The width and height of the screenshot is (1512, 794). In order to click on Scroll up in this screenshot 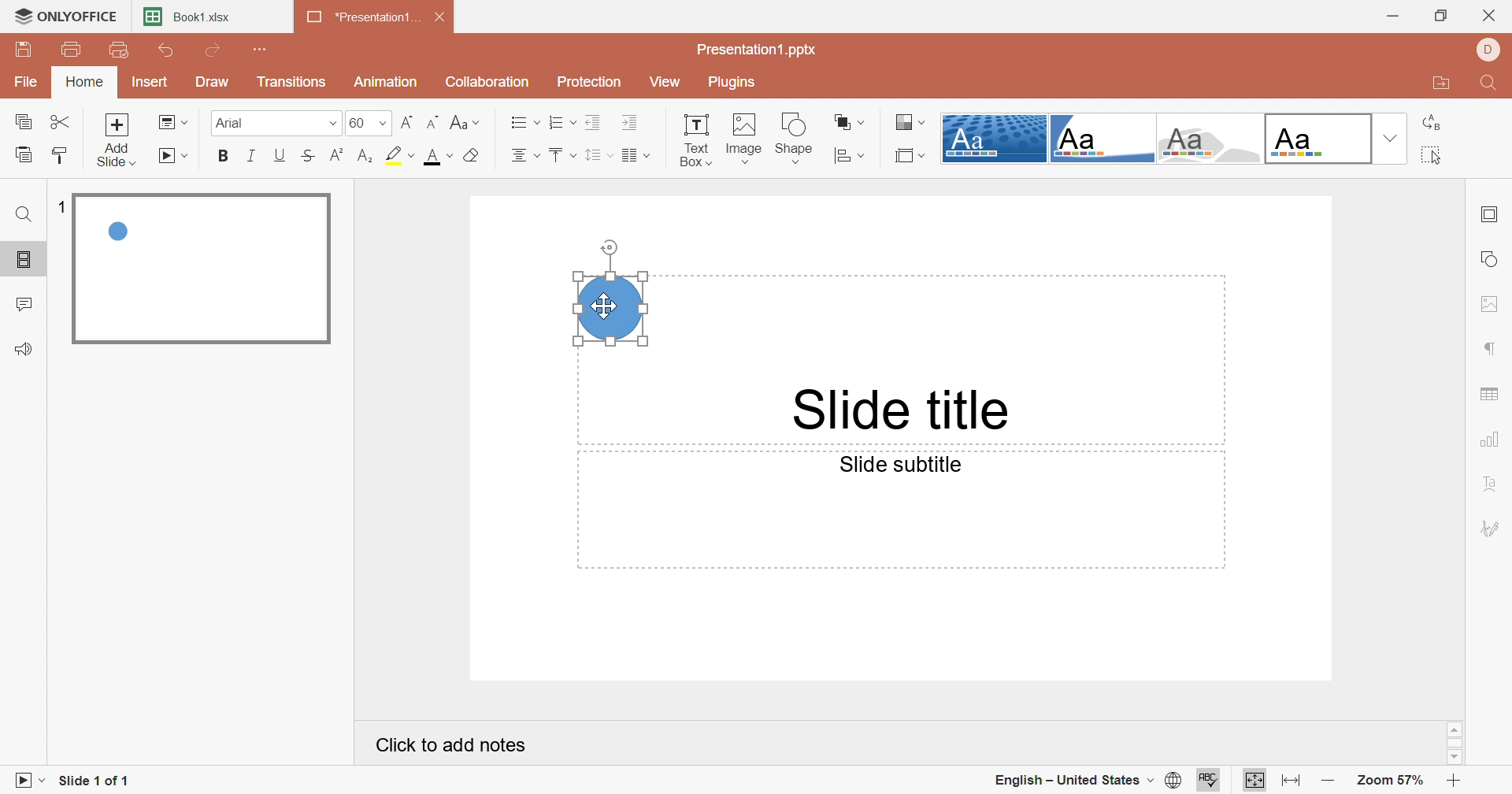, I will do `click(1455, 729)`.